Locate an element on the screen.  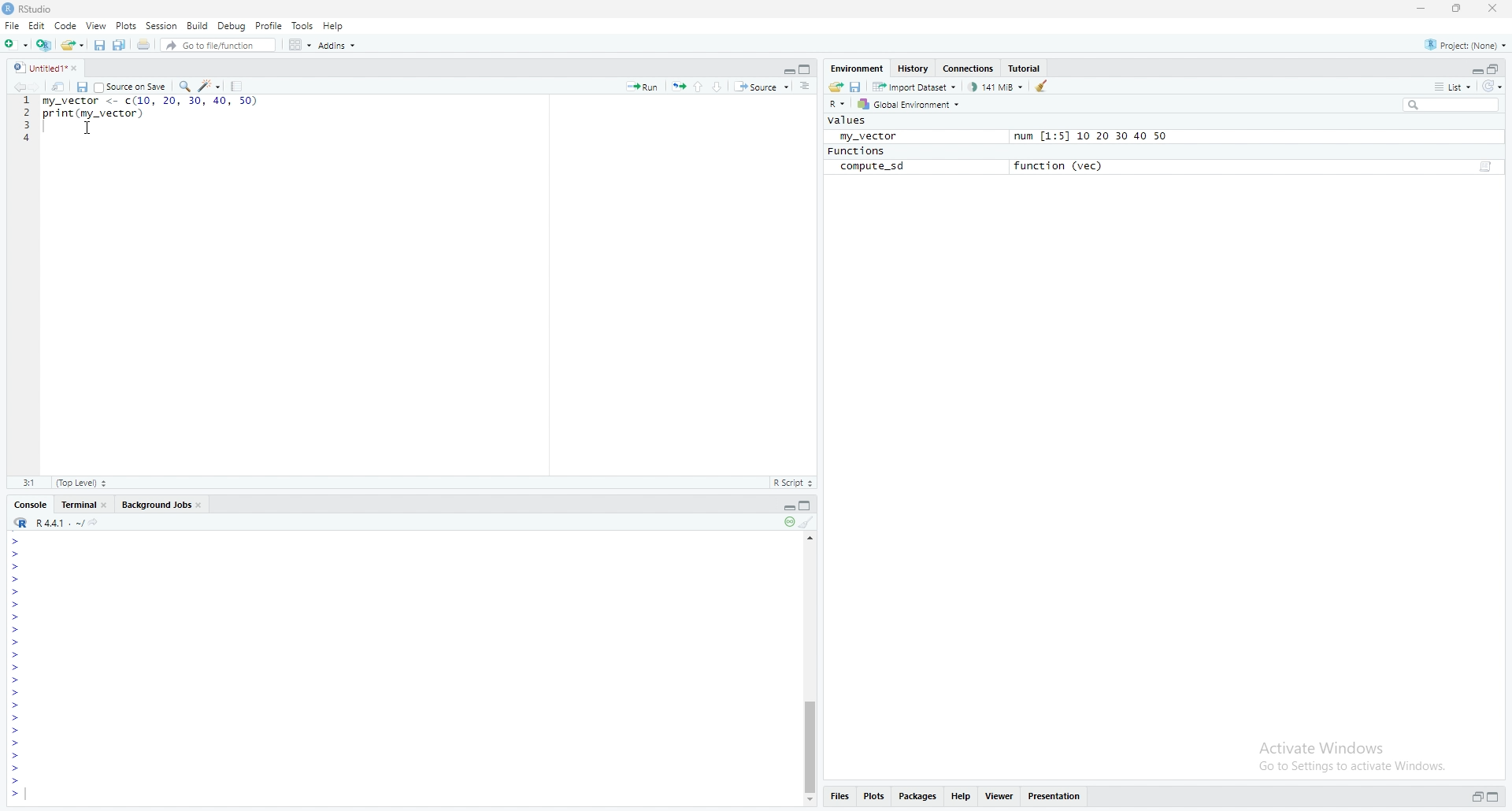
Create a project is located at coordinates (43, 43).